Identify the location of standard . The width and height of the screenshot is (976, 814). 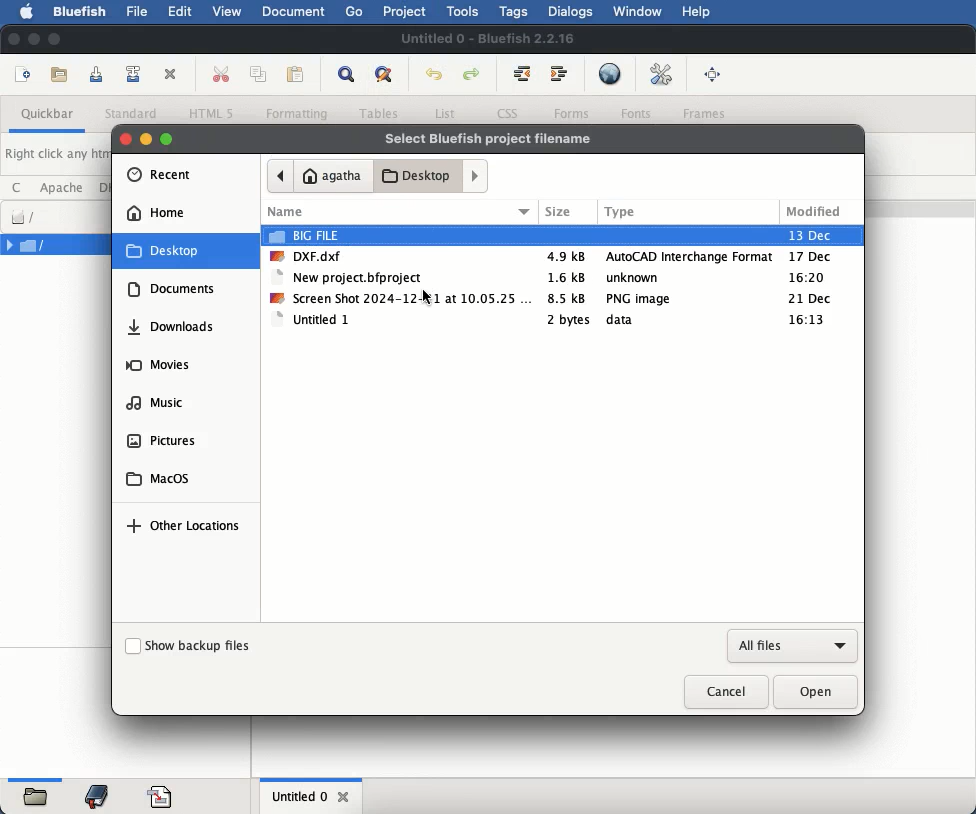
(134, 115).